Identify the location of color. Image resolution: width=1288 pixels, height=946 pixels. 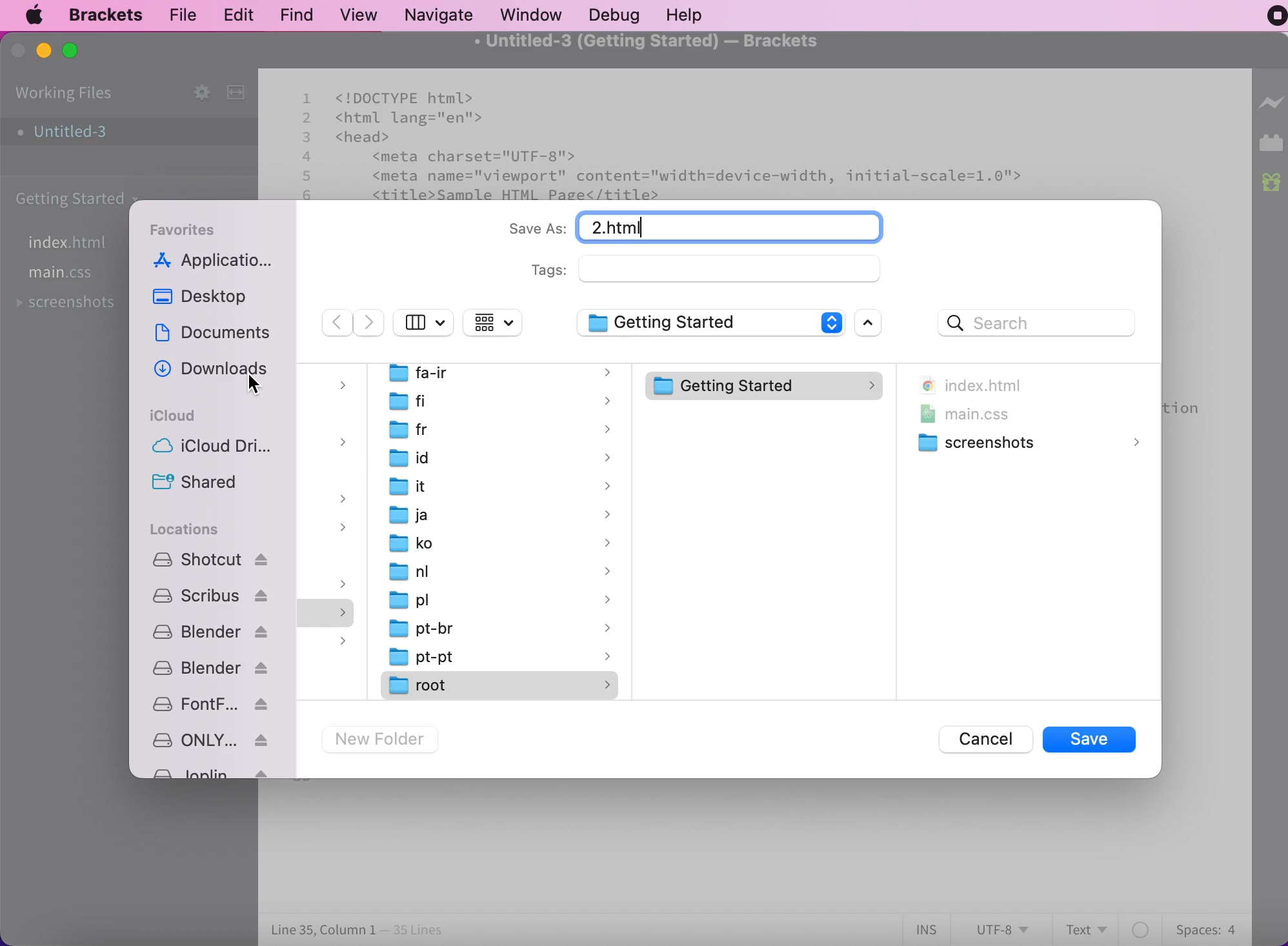
(1141, 927).